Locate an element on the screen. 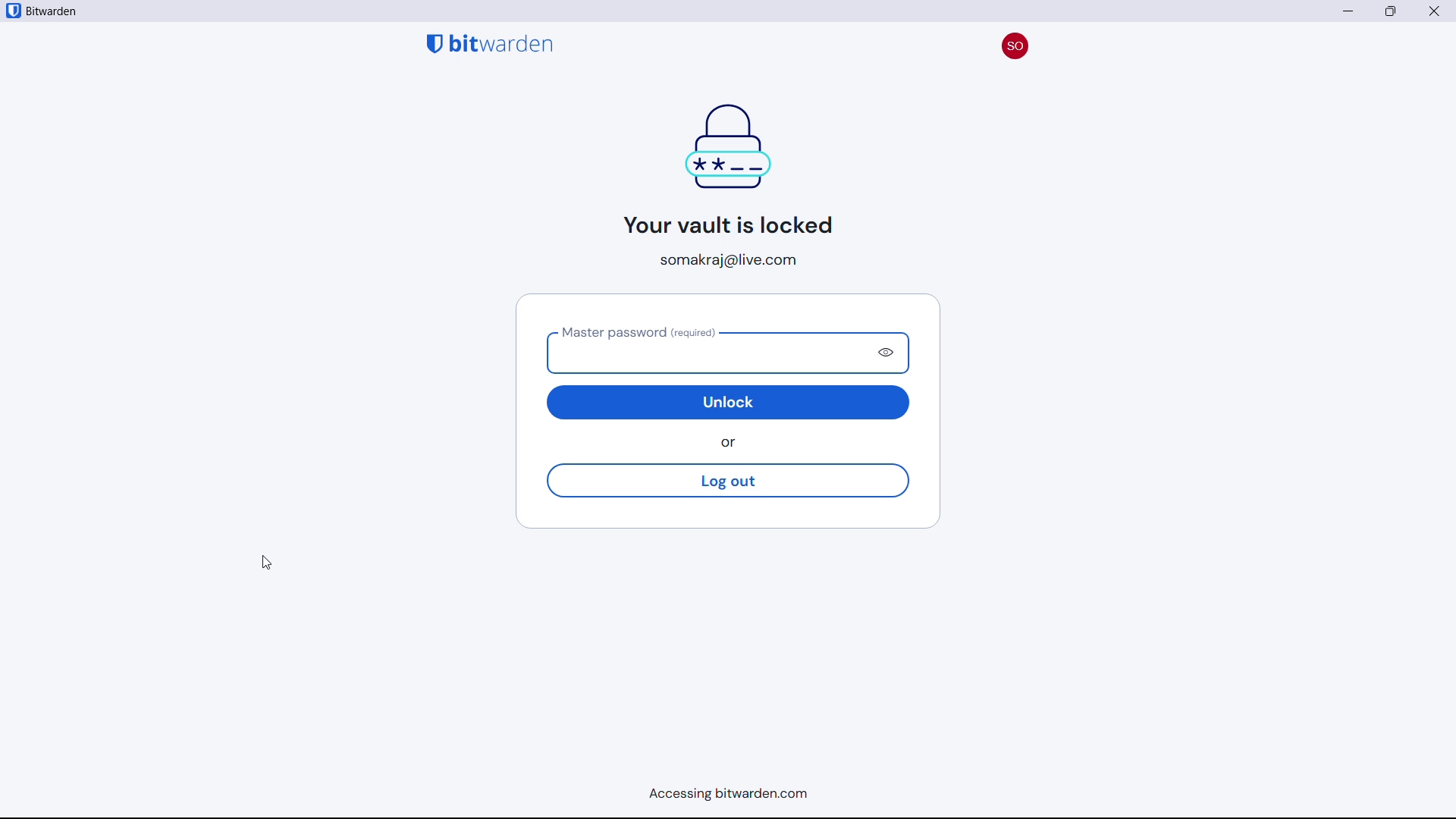 The width and height of the screenshot is (1456, 819). Enter master password  is located at coordinates (705, 352).